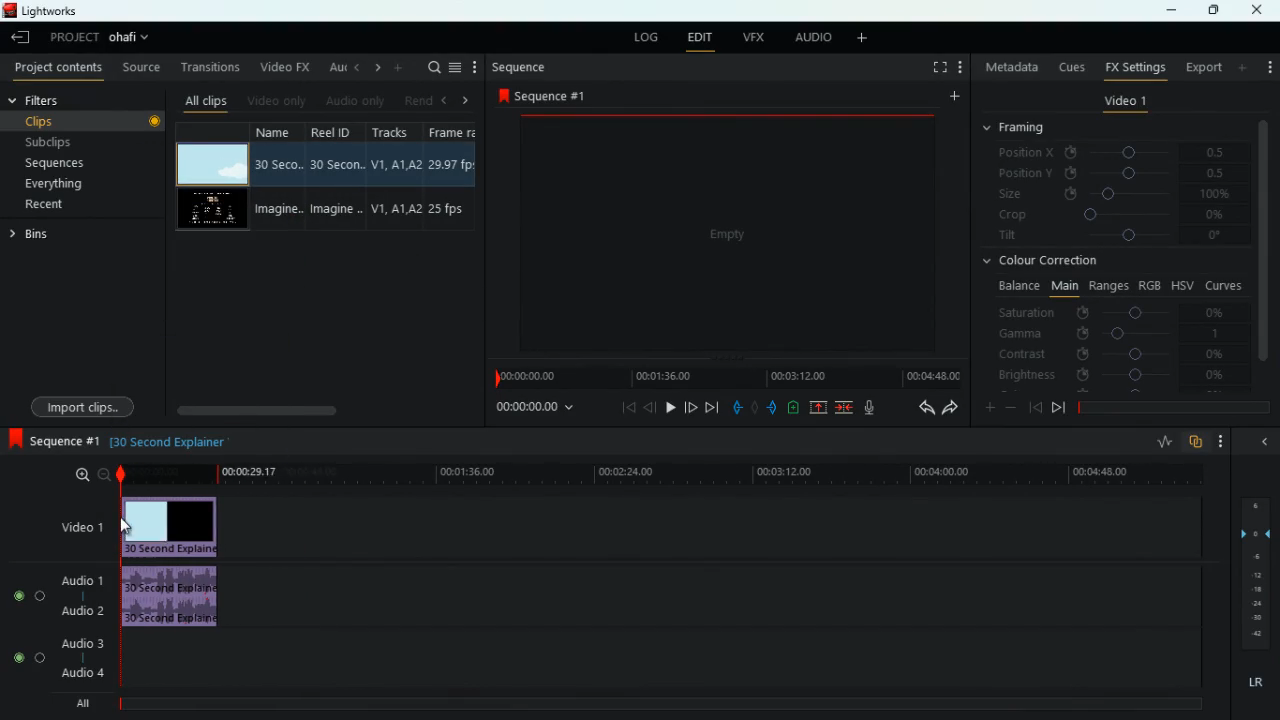 This screenshot has width=1280, height=720. I want to click on , so click(1256, 619).